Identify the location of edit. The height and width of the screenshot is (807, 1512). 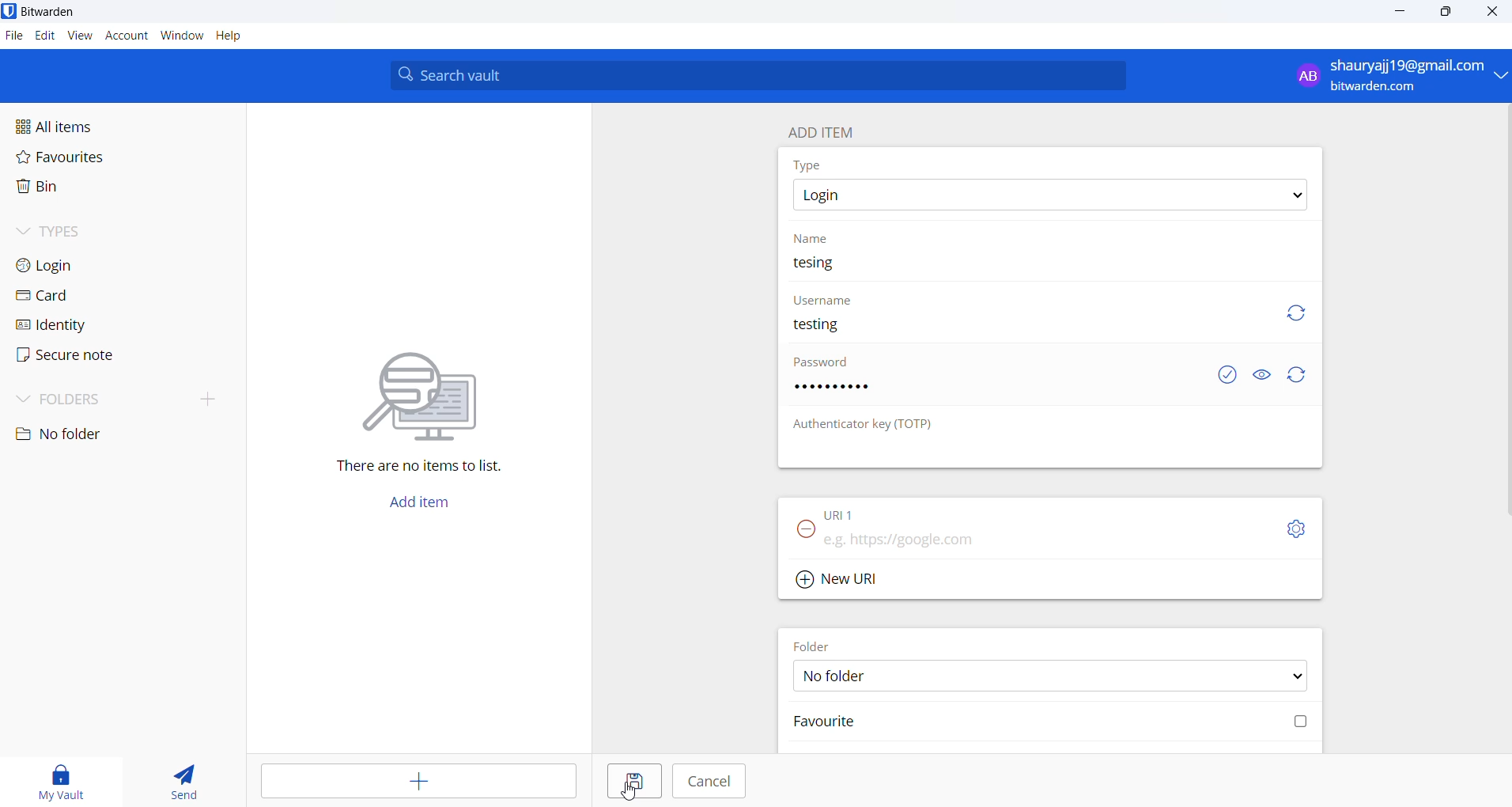
(44, 37).